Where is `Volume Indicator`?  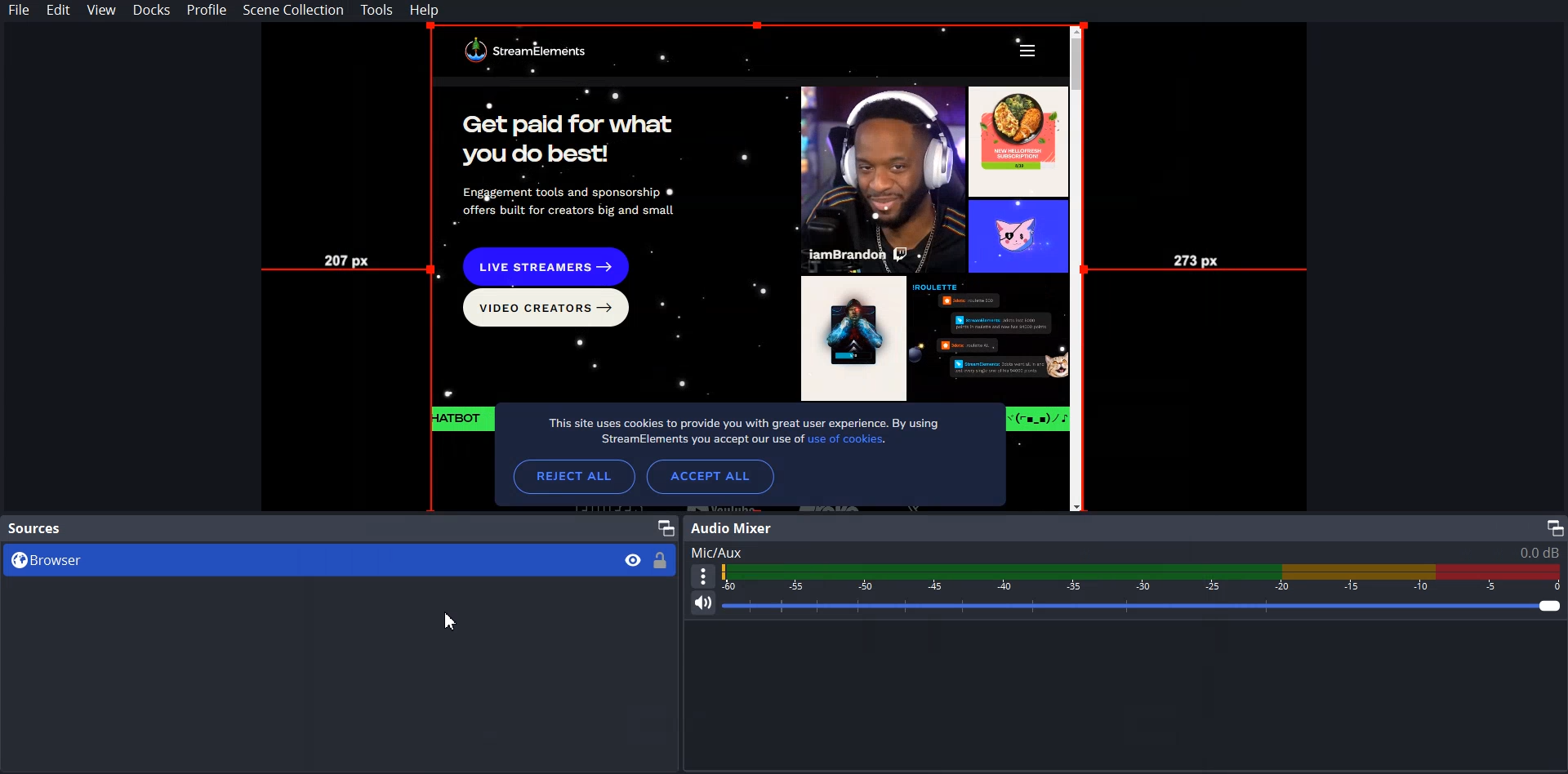 Volume Indicator is located at coordinates (1143, 579).